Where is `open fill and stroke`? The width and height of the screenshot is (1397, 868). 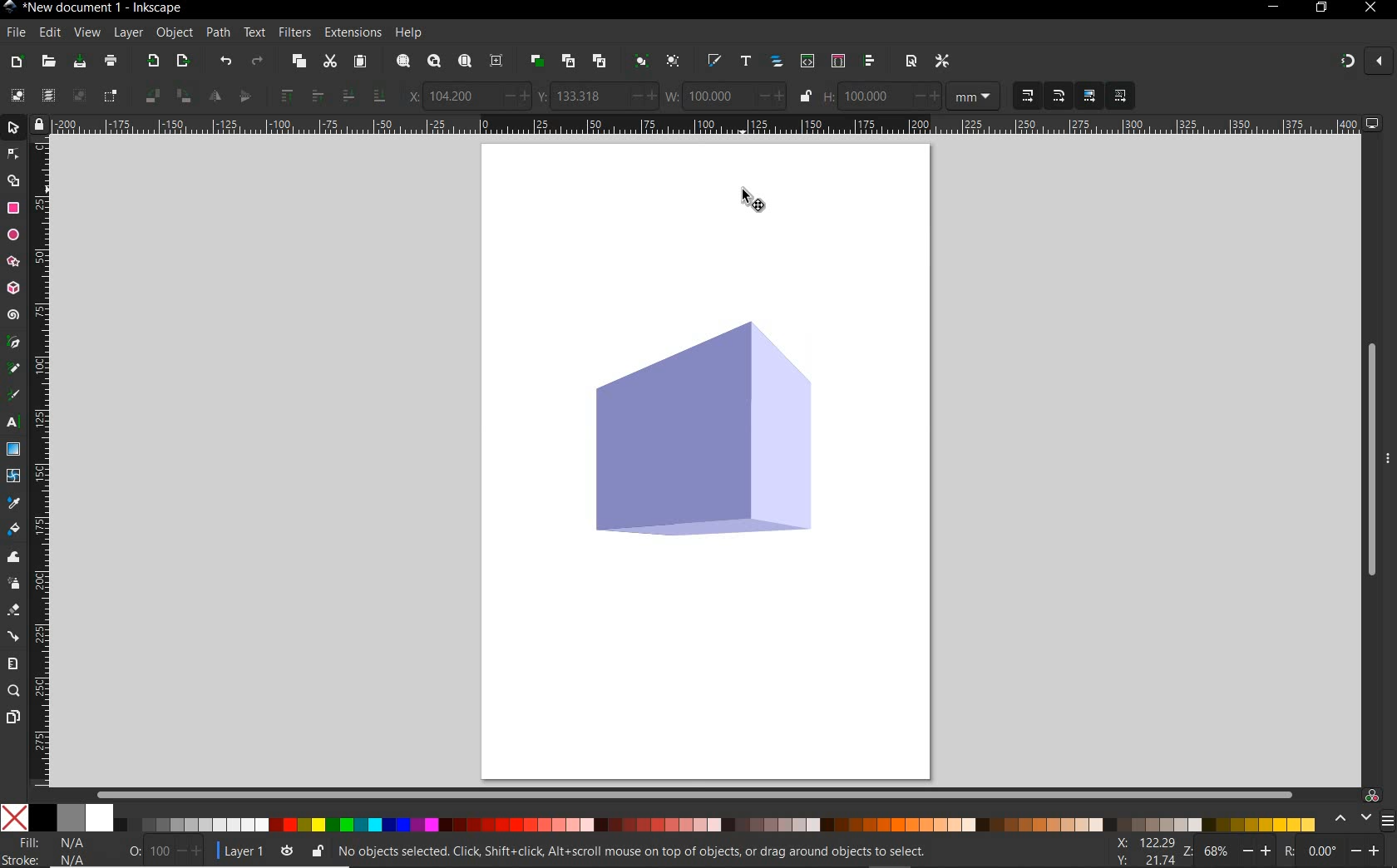 open fill and stroke is located at coordinates (713, 61).